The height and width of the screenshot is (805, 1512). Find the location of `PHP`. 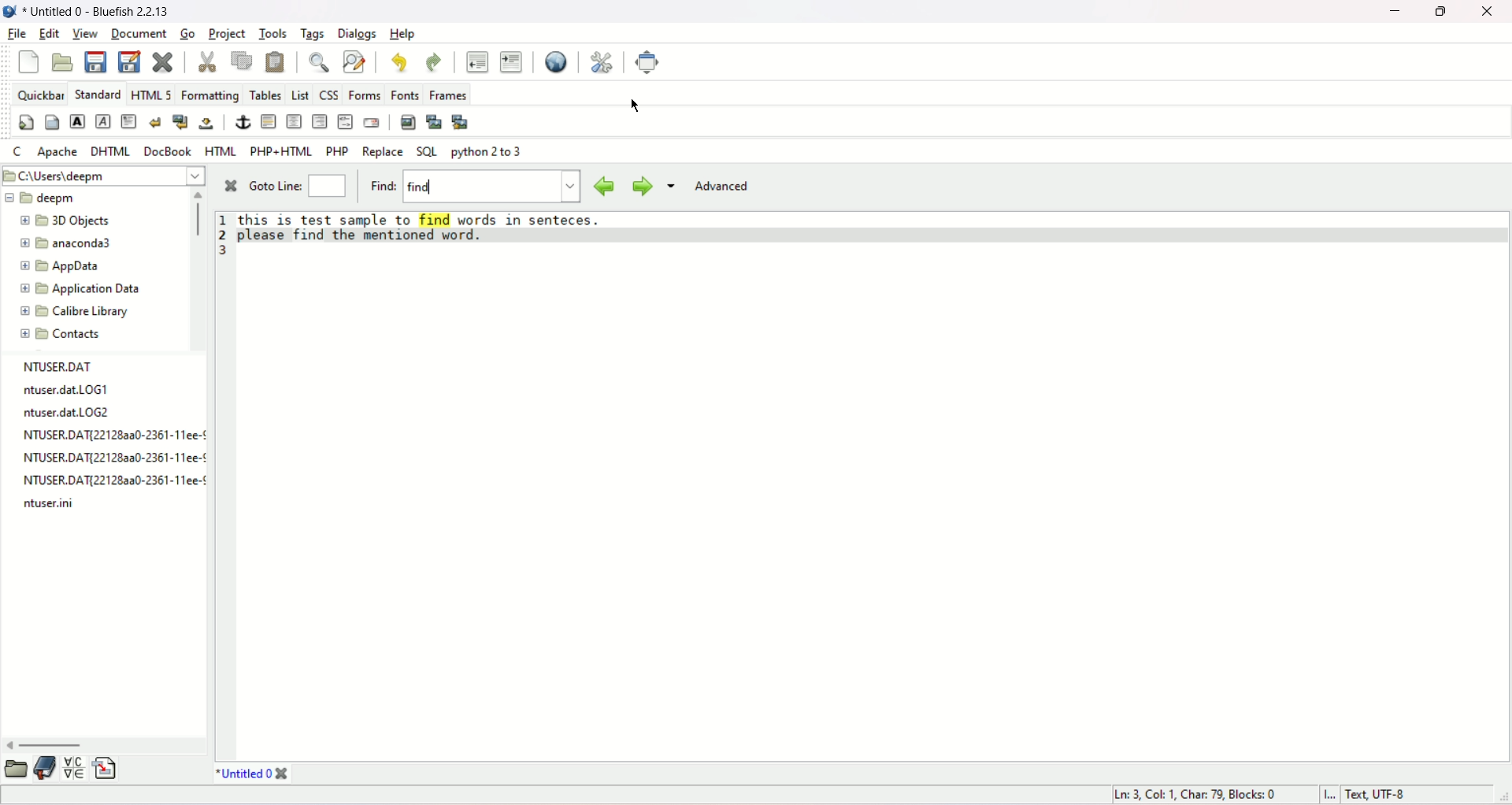

PHP is located at coordinates (337, 150).